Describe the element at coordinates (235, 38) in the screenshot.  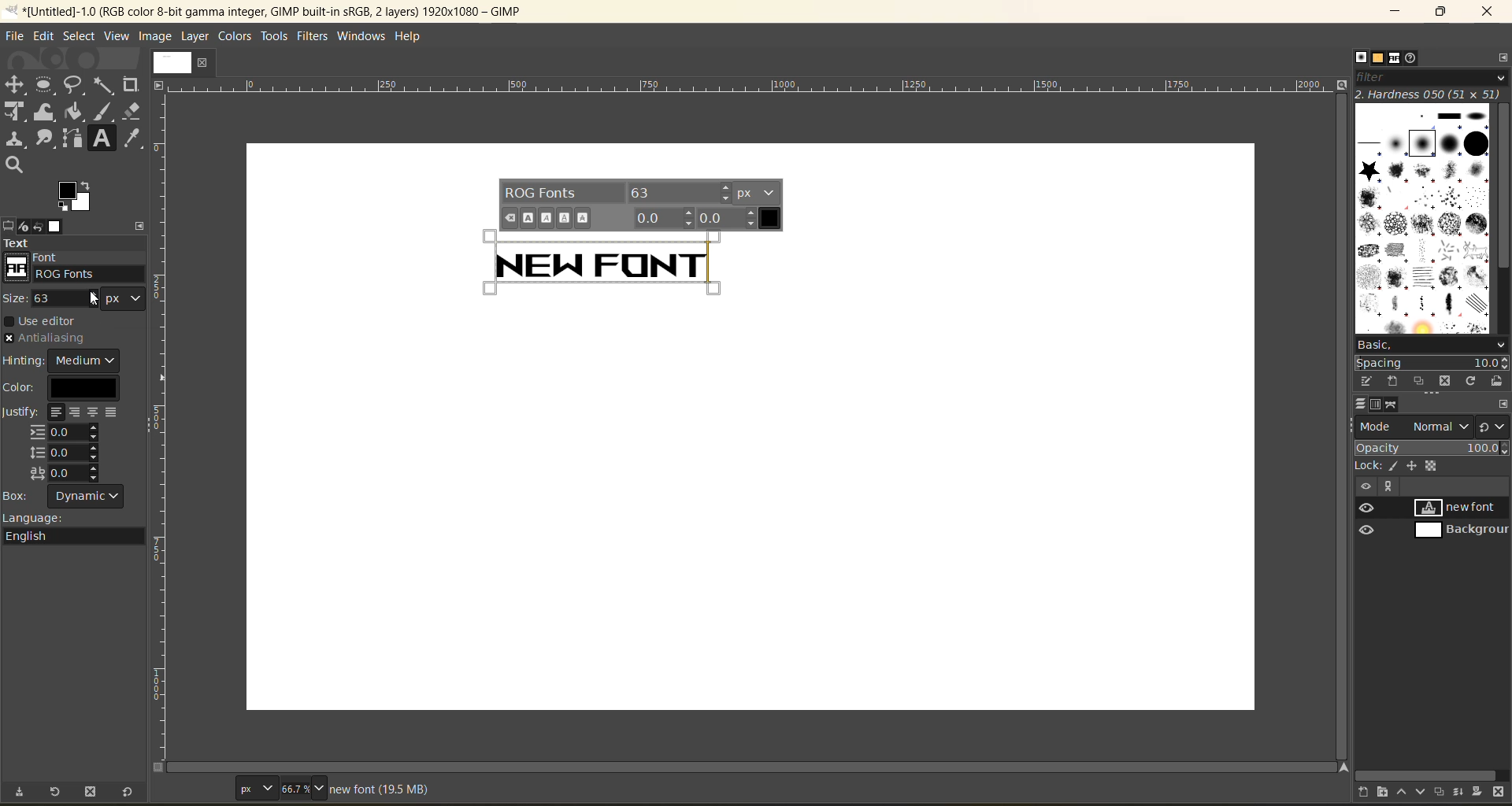
I see `colors` at that location.